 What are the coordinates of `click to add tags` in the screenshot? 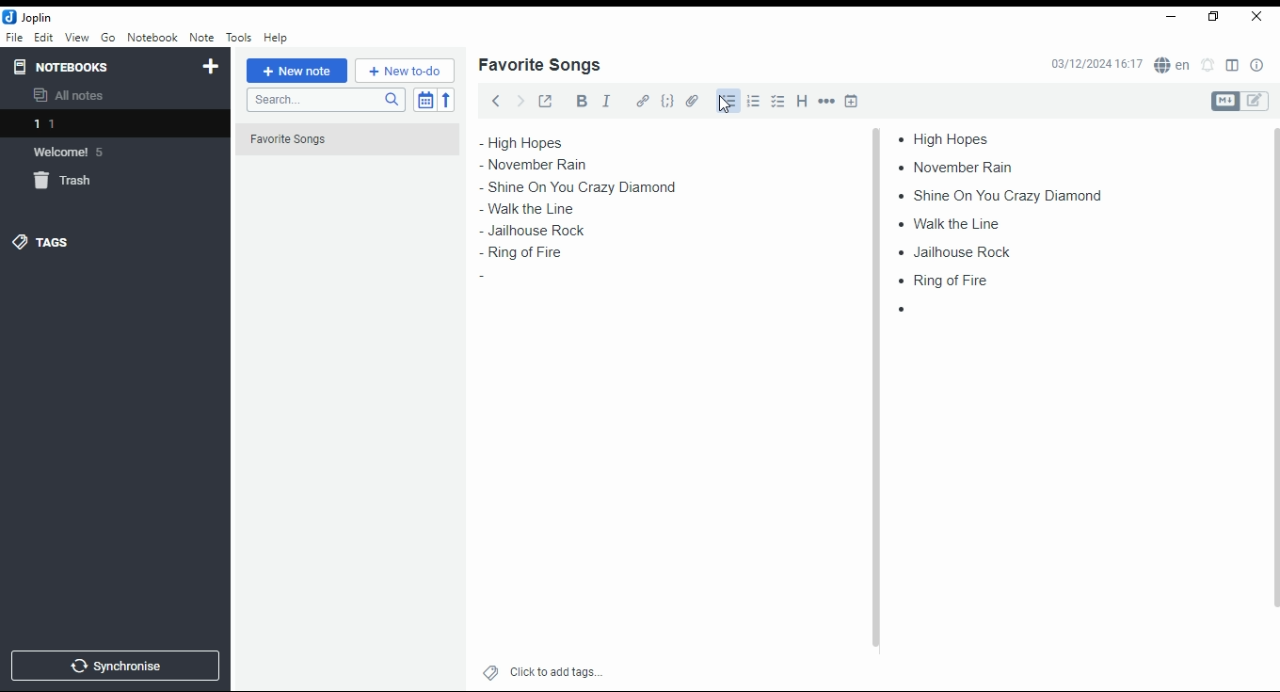 It's located at (556, 669).